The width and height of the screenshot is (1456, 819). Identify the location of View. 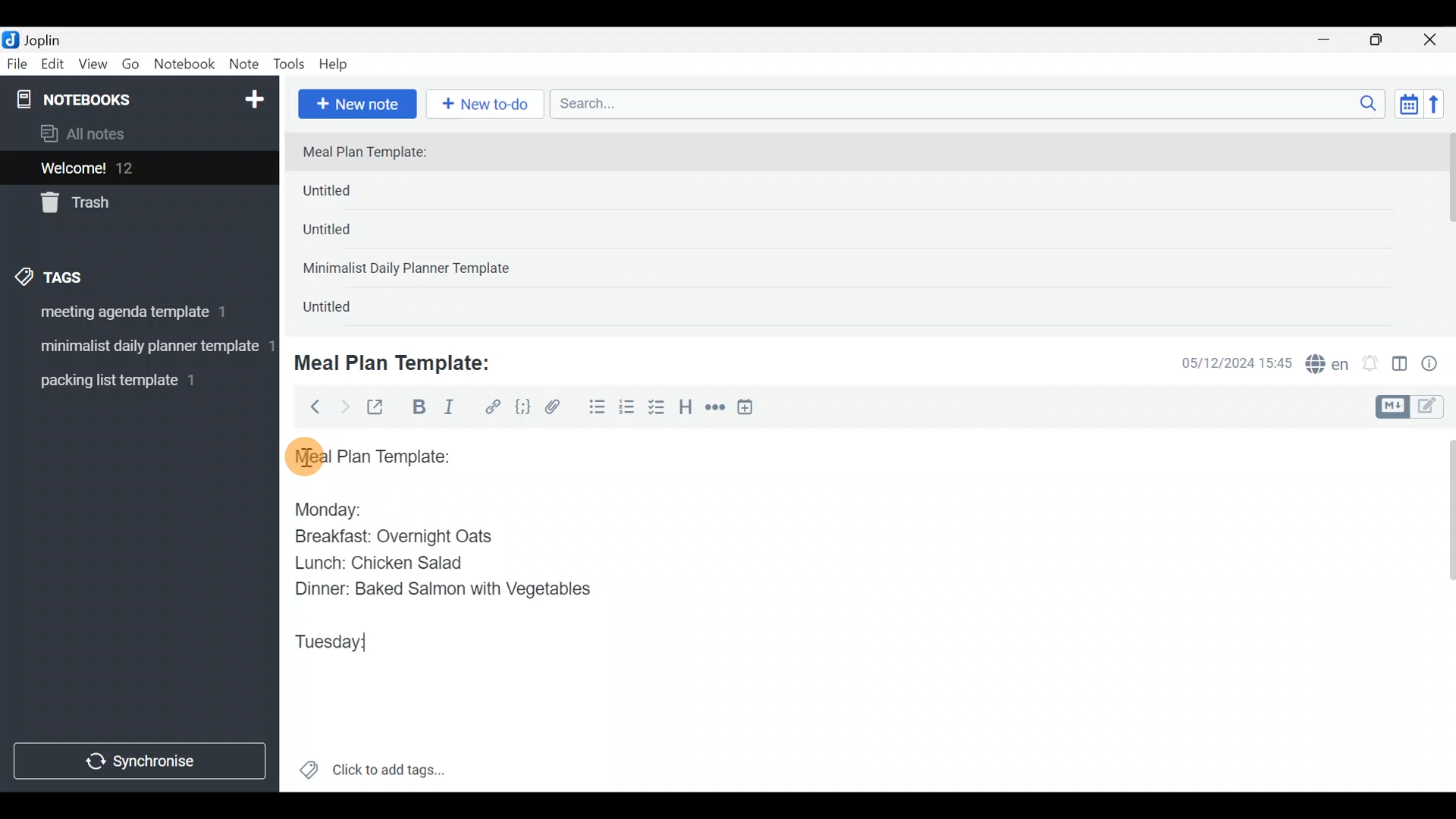
(93, 67).